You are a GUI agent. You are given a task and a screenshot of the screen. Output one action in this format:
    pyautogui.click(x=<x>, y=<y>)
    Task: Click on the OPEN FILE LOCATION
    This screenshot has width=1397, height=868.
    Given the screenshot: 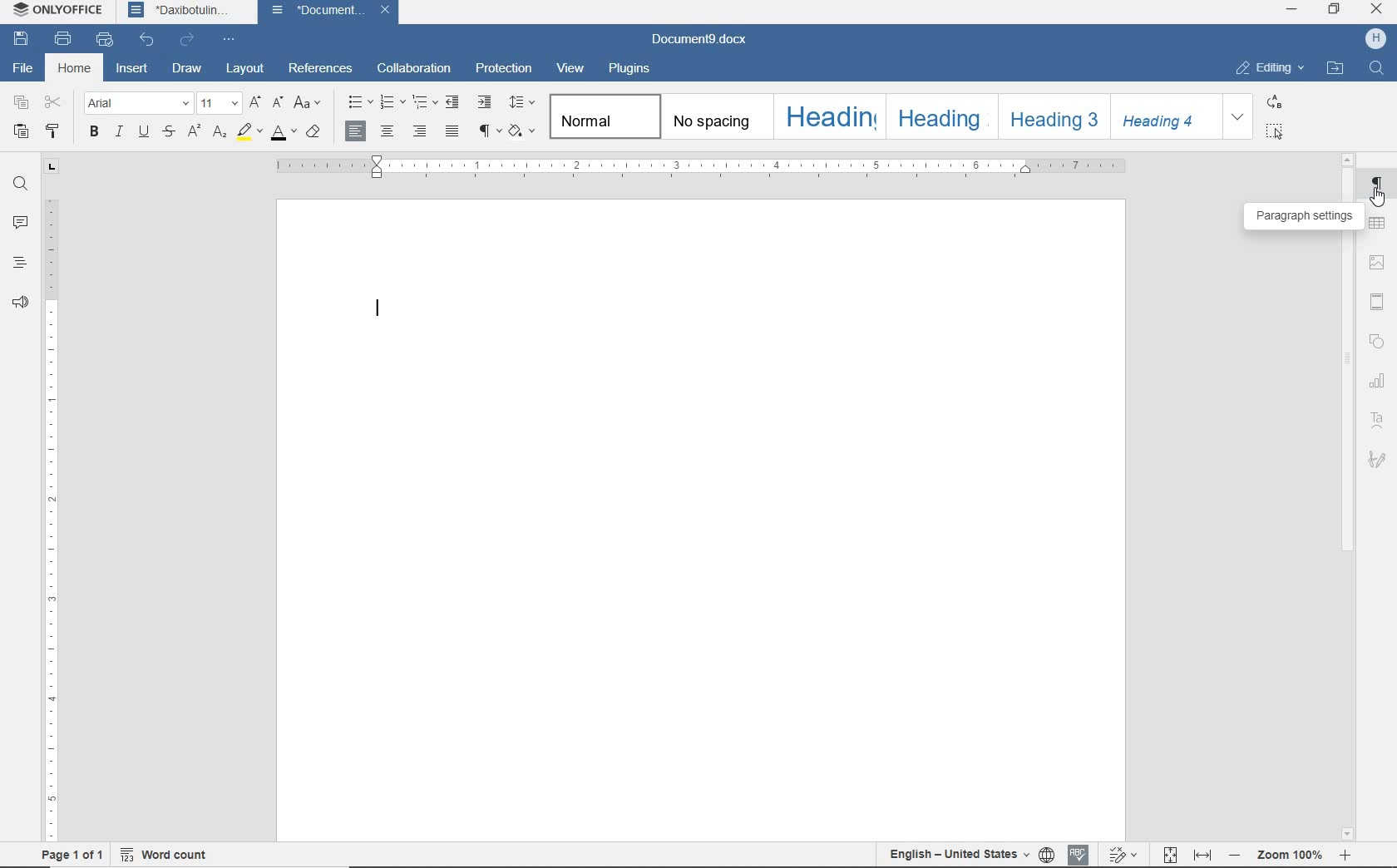 What is the action you would take?
    pyautogui.click(x=1335, y=67)
    